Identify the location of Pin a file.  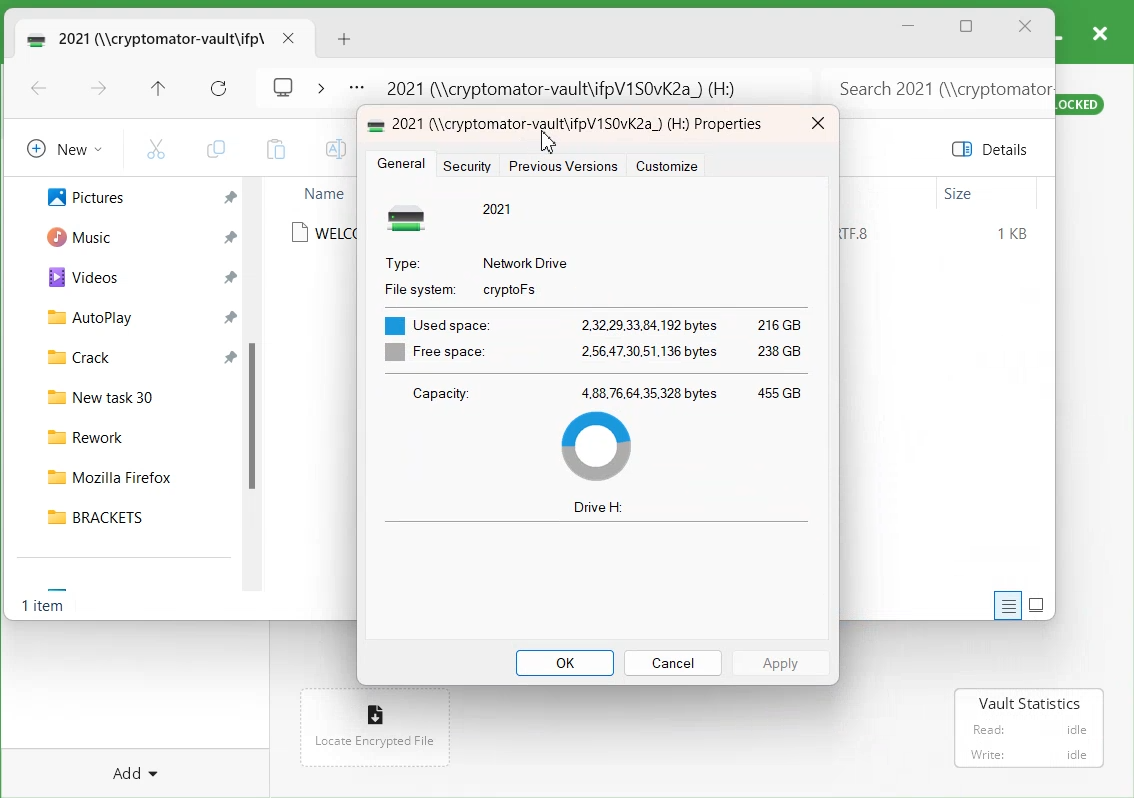
(231, 355).